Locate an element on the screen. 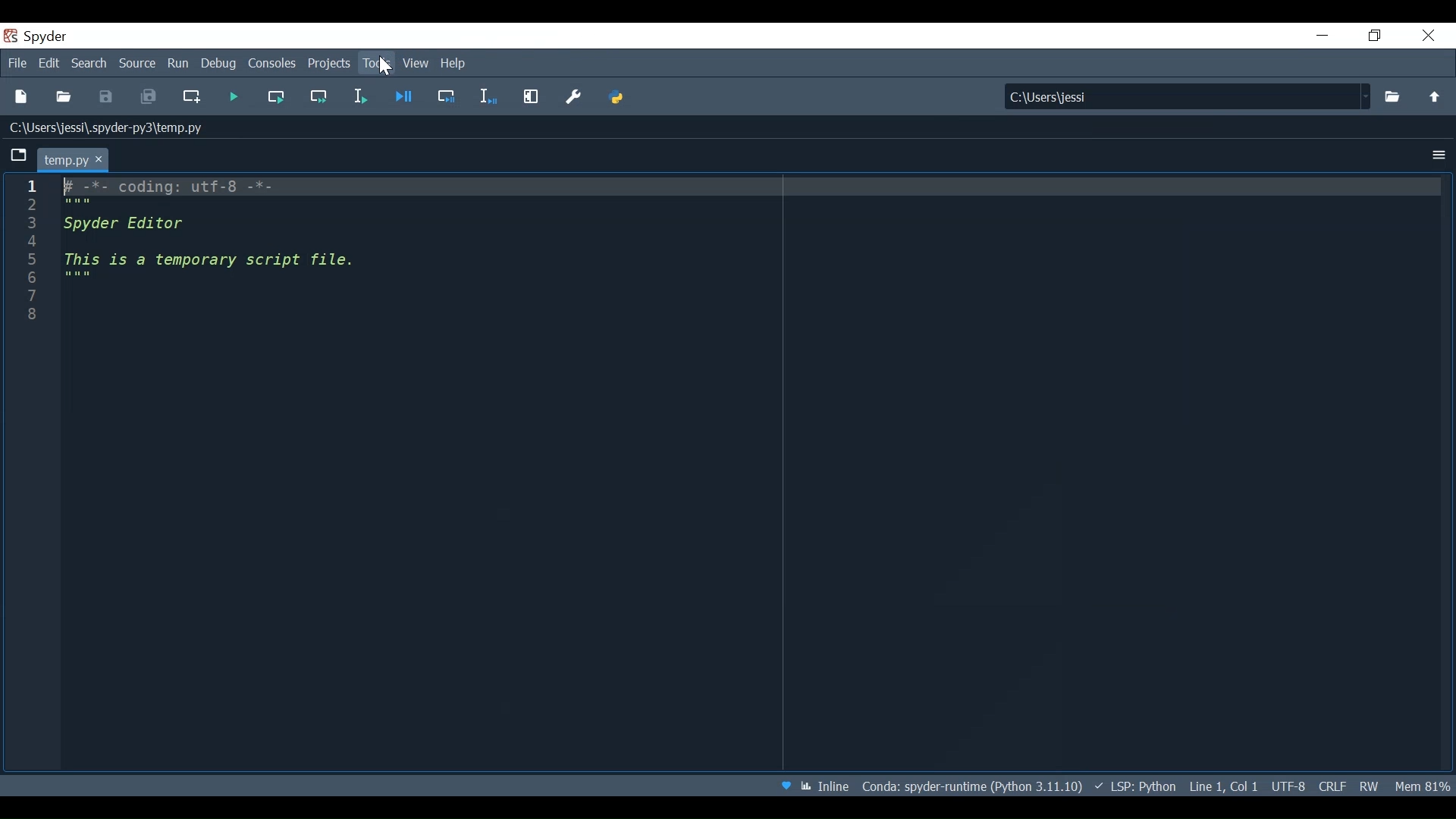 This screenshot has width=1456, height=819. Debug selection or current line is located at coordinates (486, 99).